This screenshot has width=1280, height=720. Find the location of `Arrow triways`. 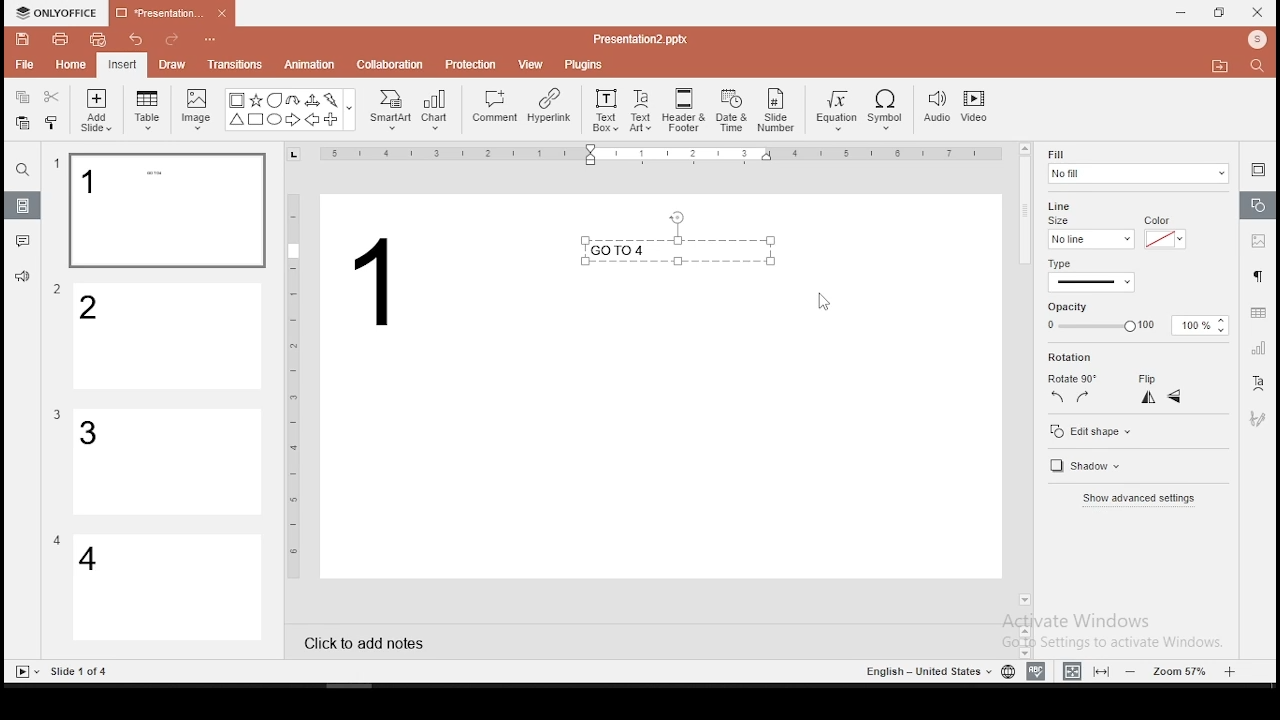

Arrow triways is located at coordinates (313, 100).